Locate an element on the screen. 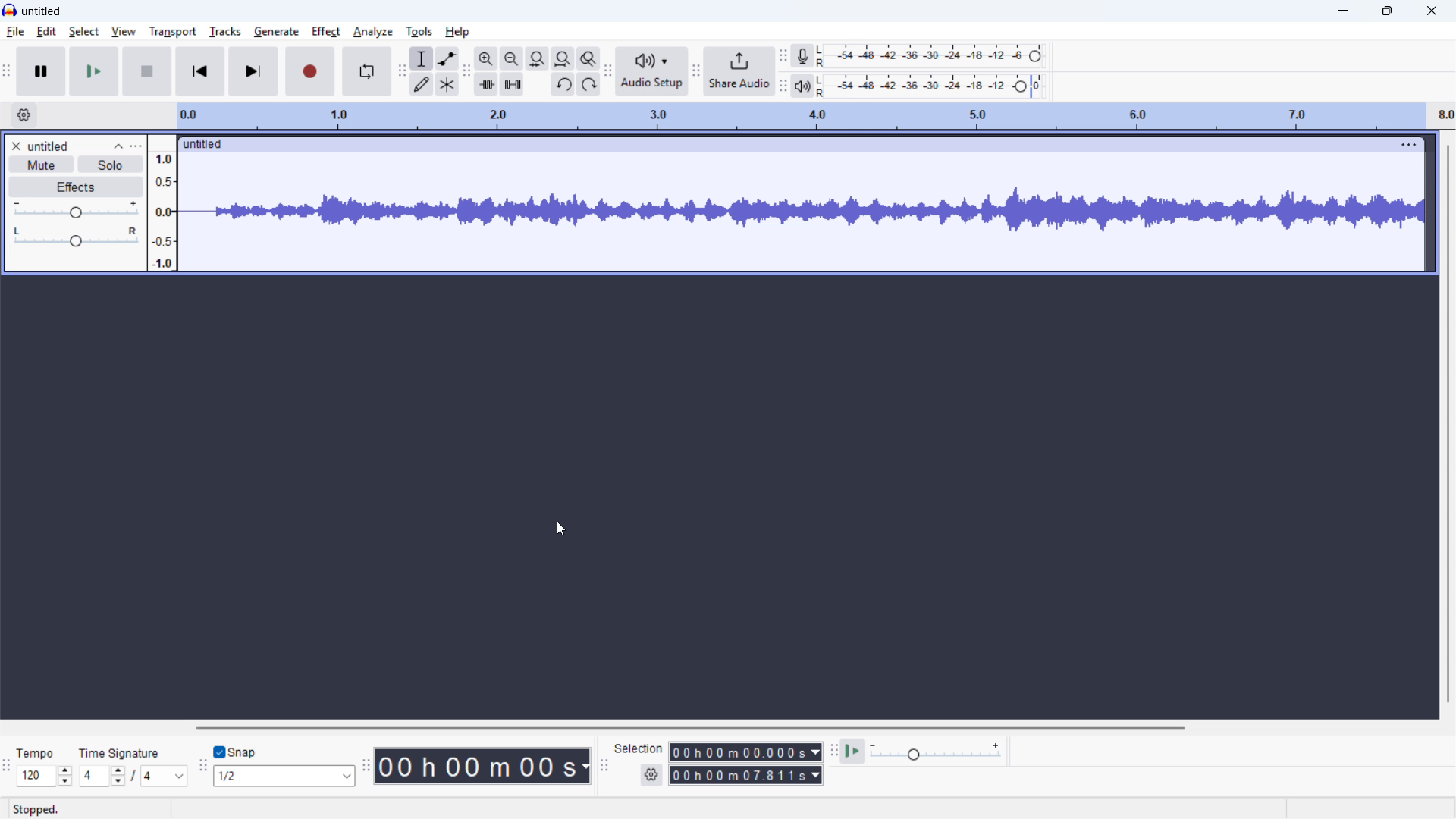 This screenshot has height=819, width=1456. enable looping is located at coordinates (367, 71).